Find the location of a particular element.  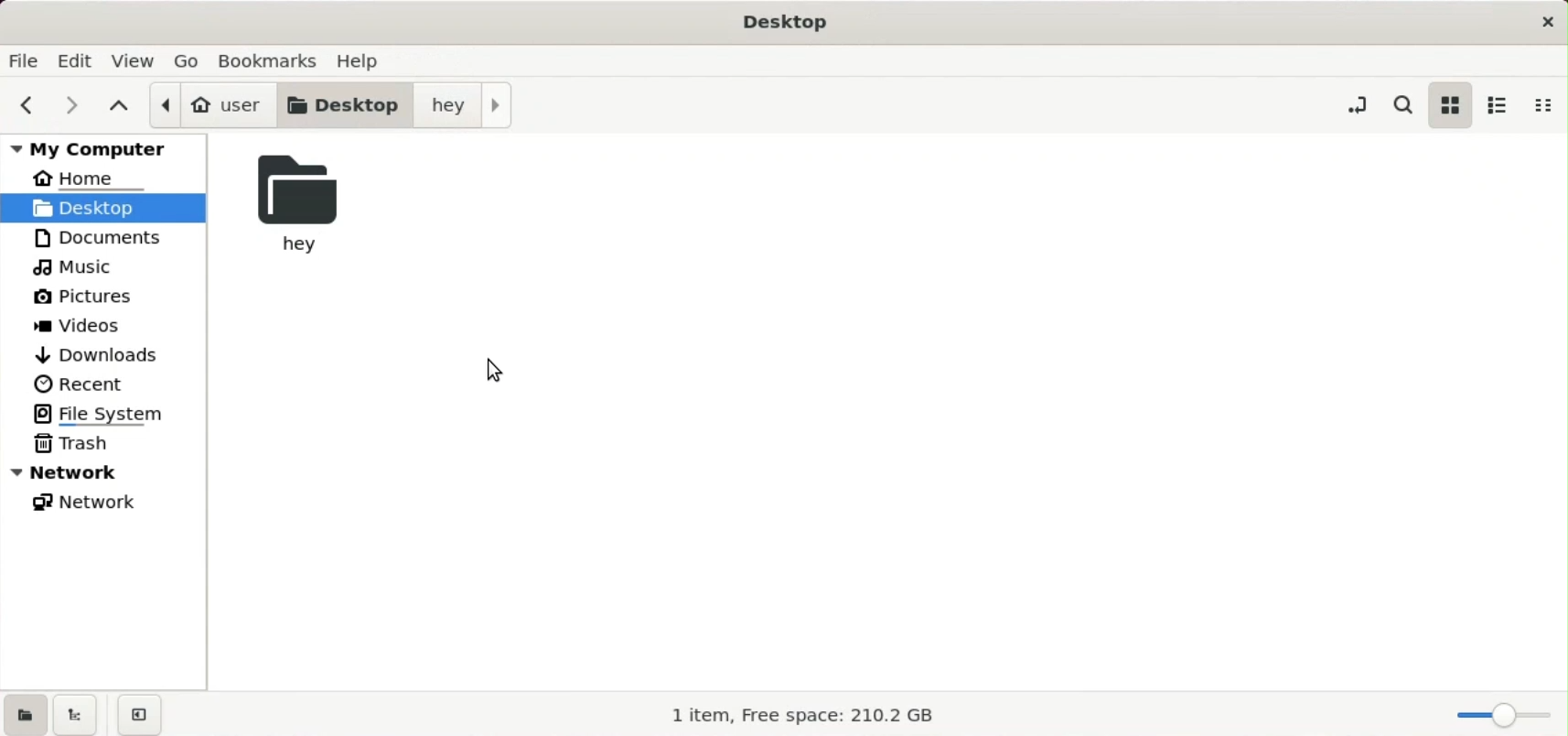

file system is located at coordinates (102, 412).